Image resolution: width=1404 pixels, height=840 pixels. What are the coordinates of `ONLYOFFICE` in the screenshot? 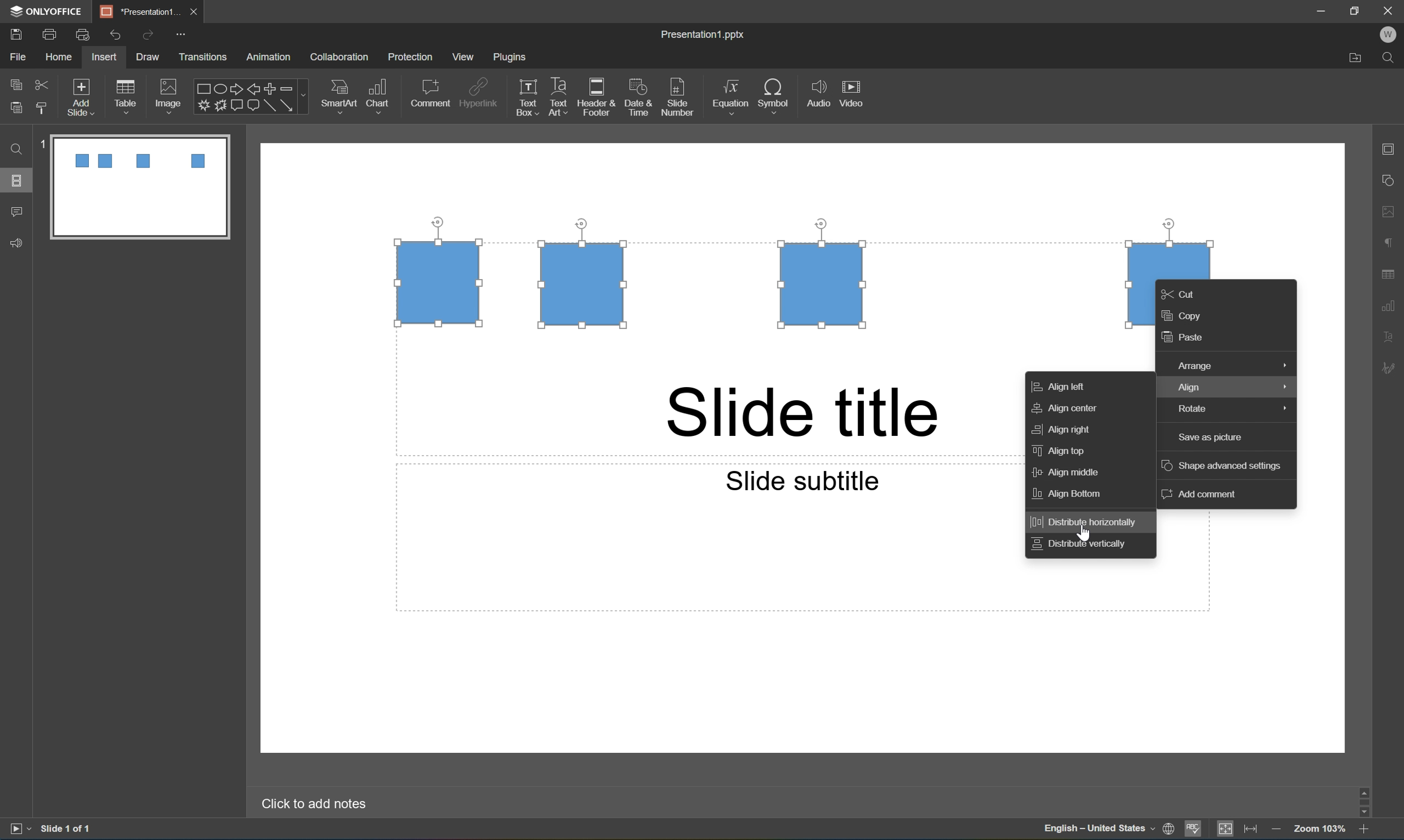 It's located at (48, 10).